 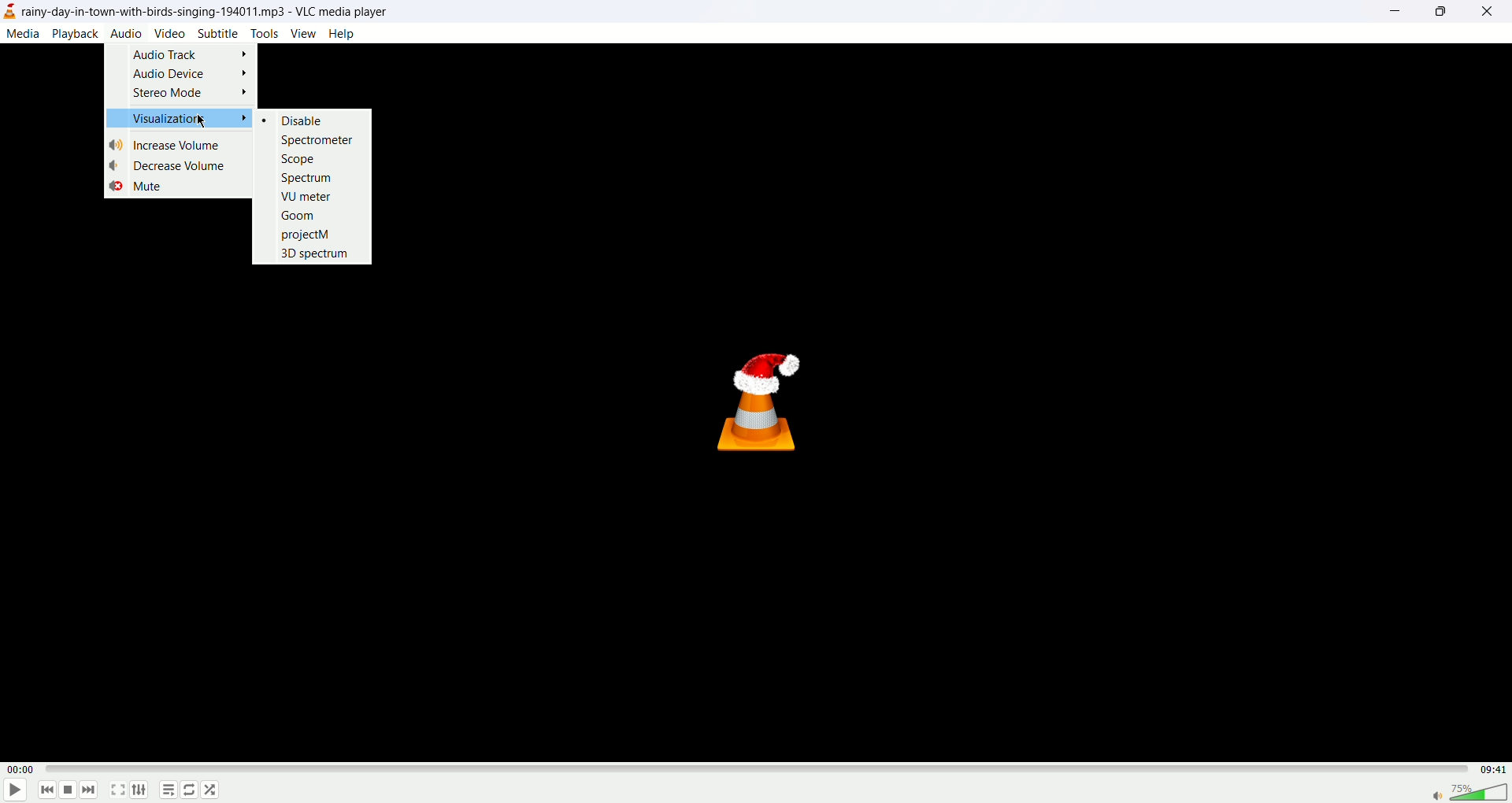 I want to click on playlist, so click(x=169, y=790).